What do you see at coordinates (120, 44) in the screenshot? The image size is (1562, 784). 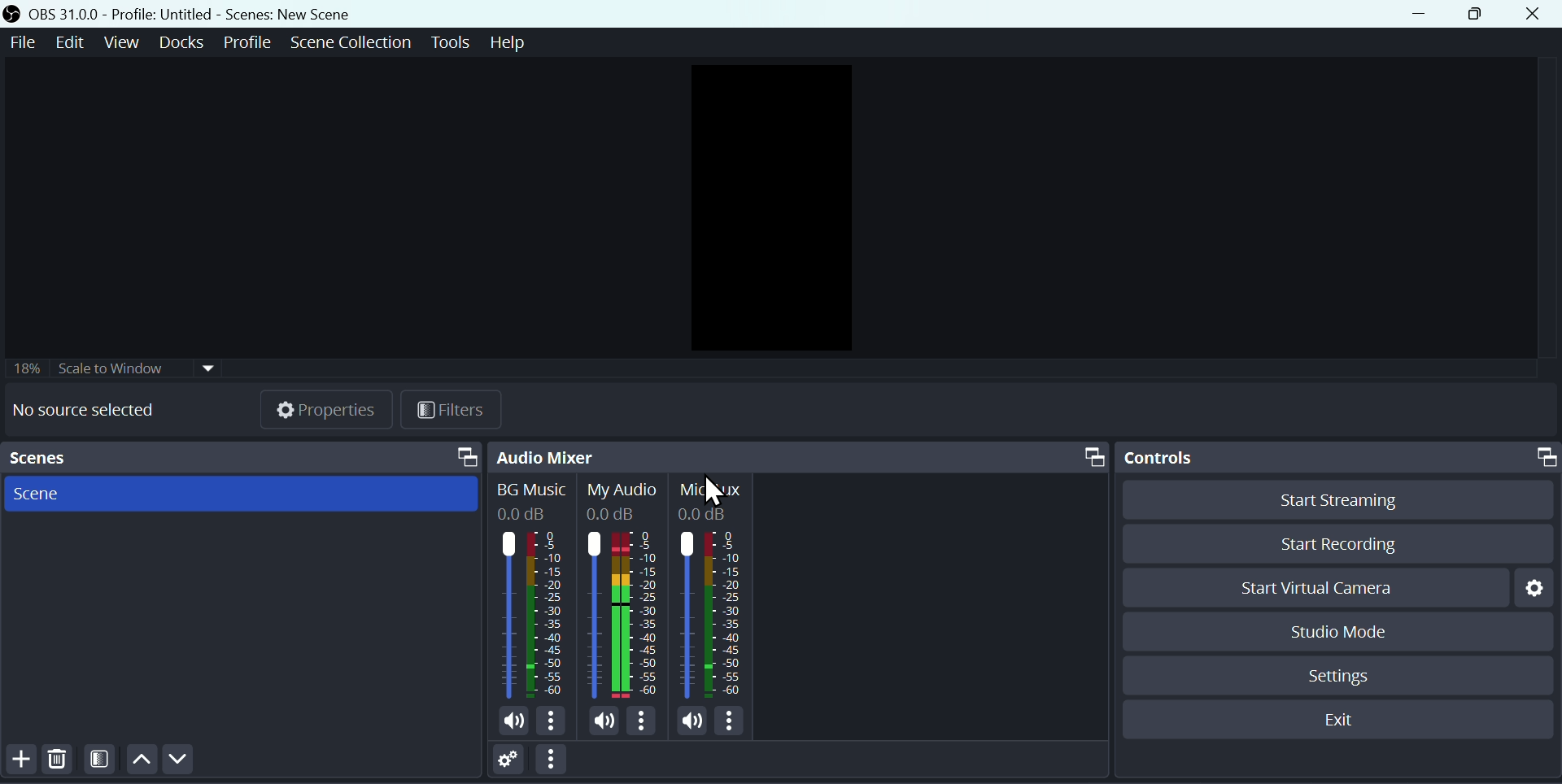 I see `View` at bounding box center [120, 44].